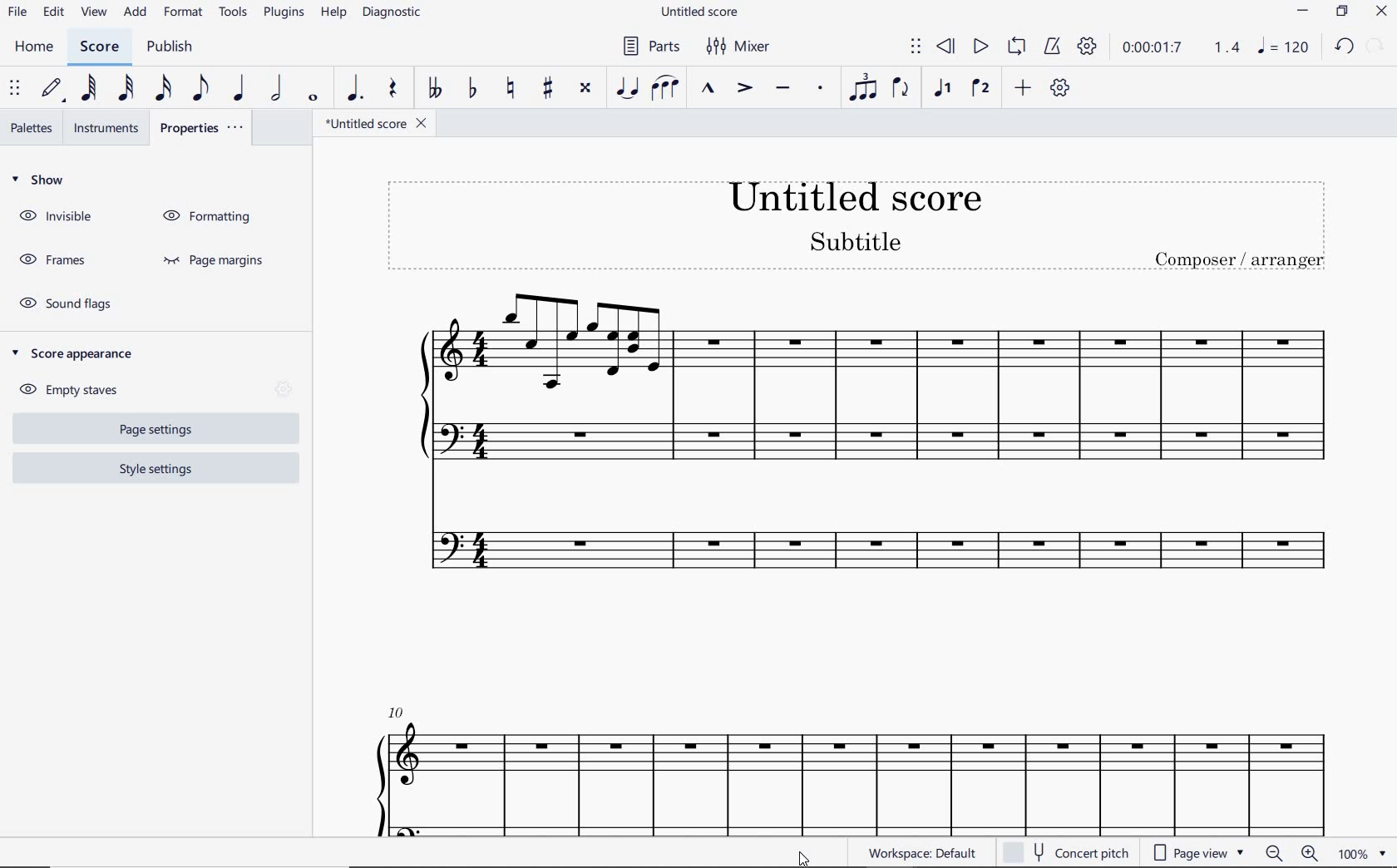  Describe the element at coordinates (1302, 11) in the screenshot. I see `MINIMIZE` at that location.